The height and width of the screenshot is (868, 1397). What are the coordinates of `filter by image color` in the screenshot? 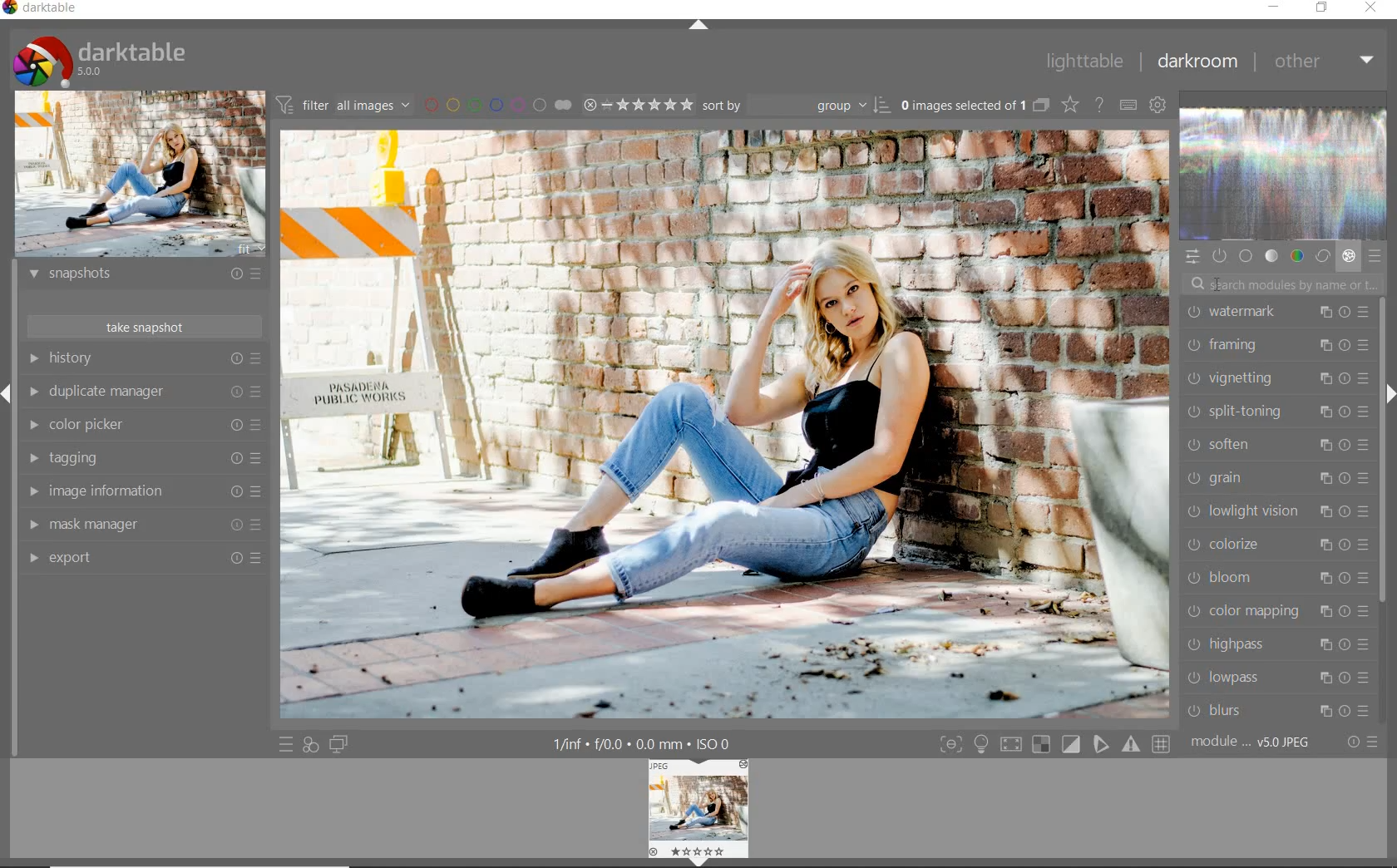 It's located at (501, 106).